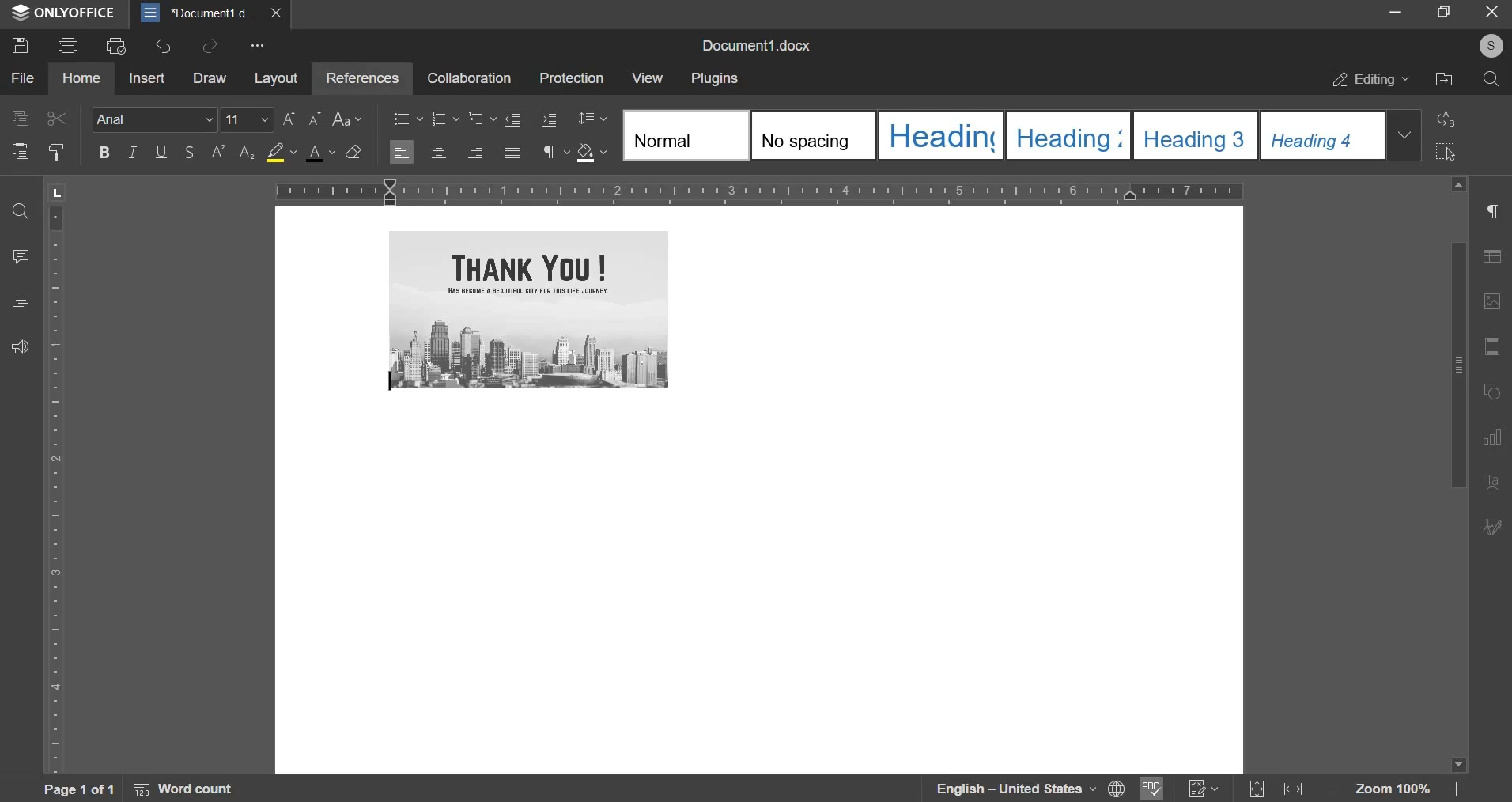  Describe the element at coordinates (1297, 791) in the screenshot. I see `fit` at that location.